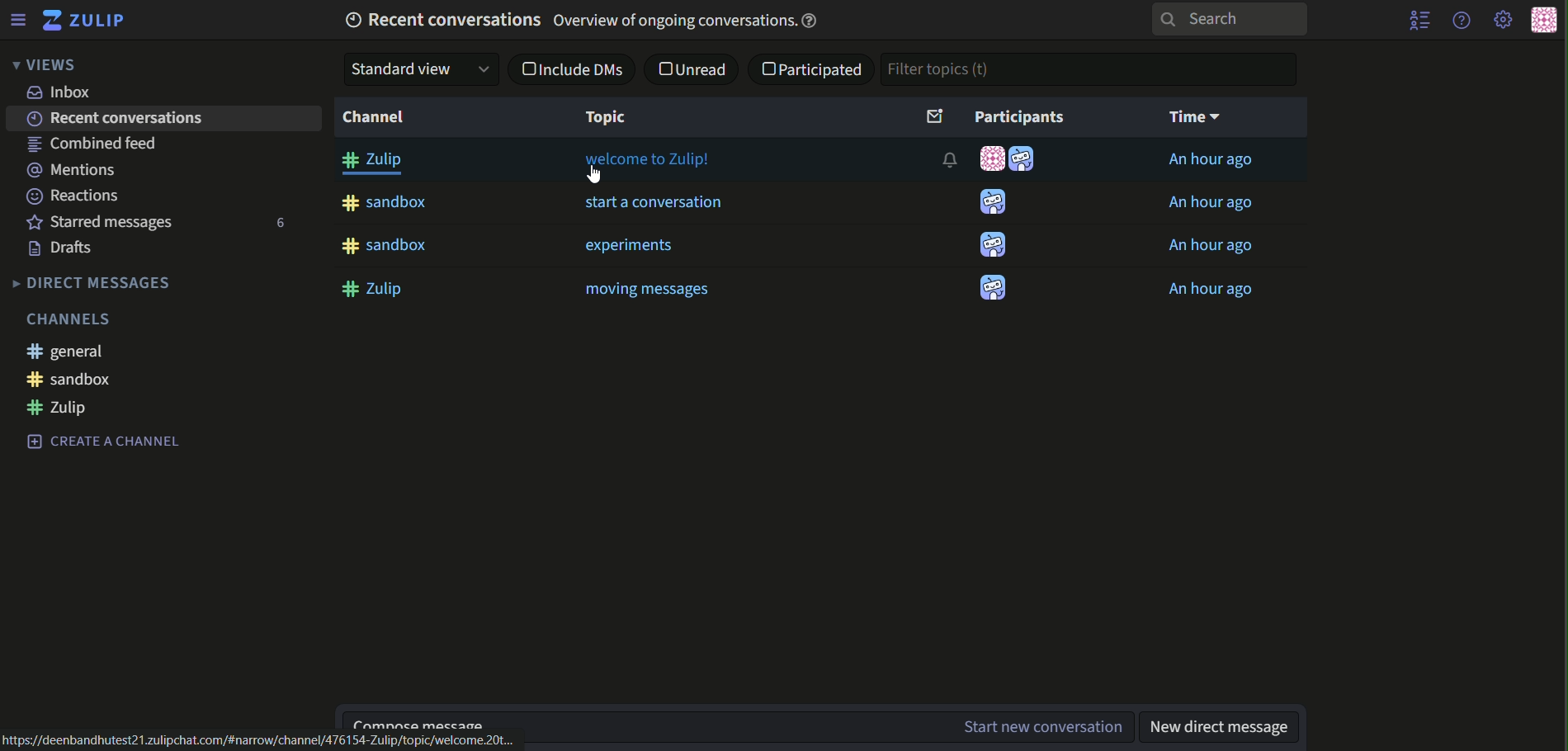 This screenshot has width=1568, height=751. I want to click on checkbox, so click(525, 68).